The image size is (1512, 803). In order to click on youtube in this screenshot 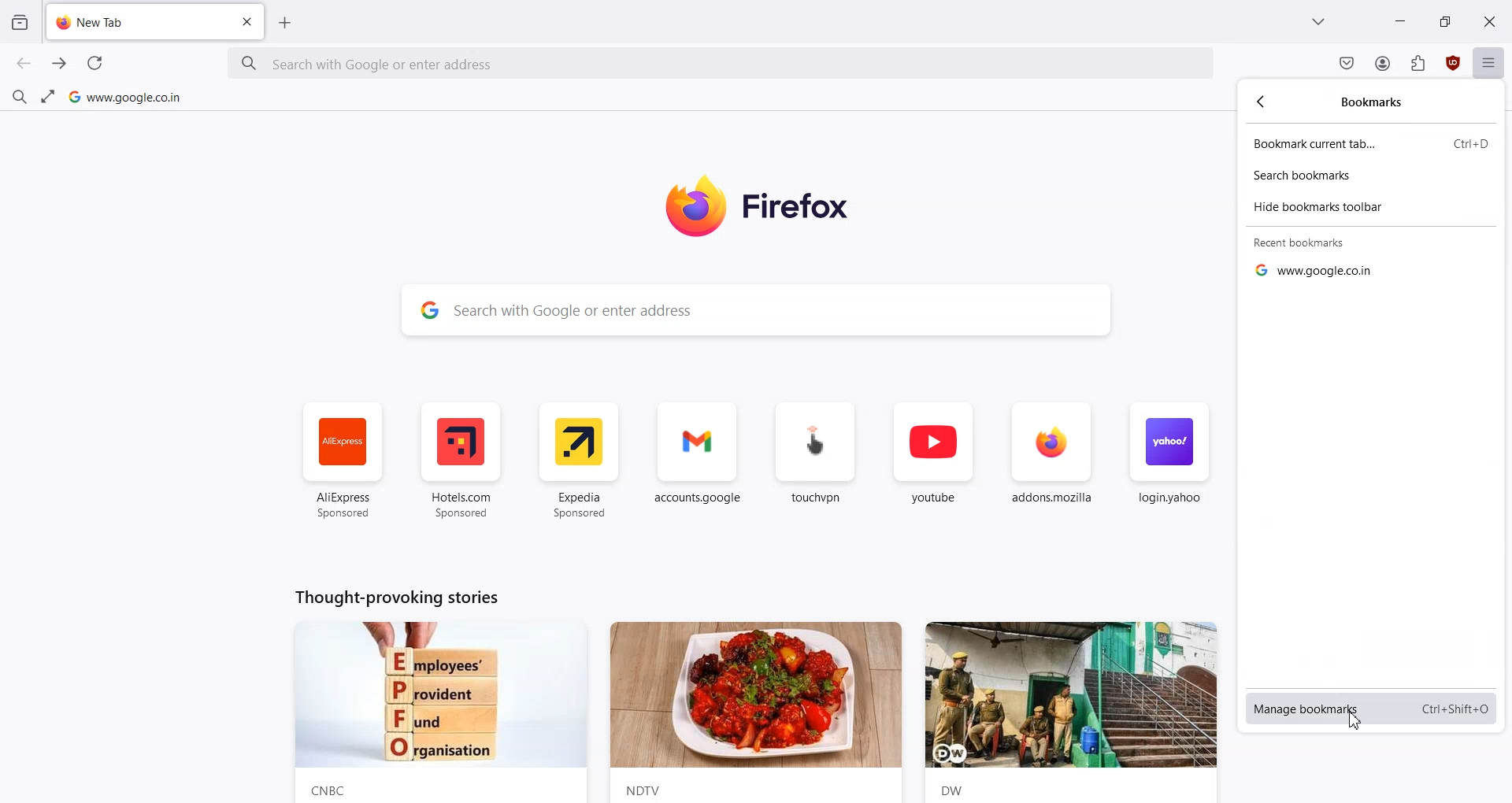, I will do `click(933, 462)`.